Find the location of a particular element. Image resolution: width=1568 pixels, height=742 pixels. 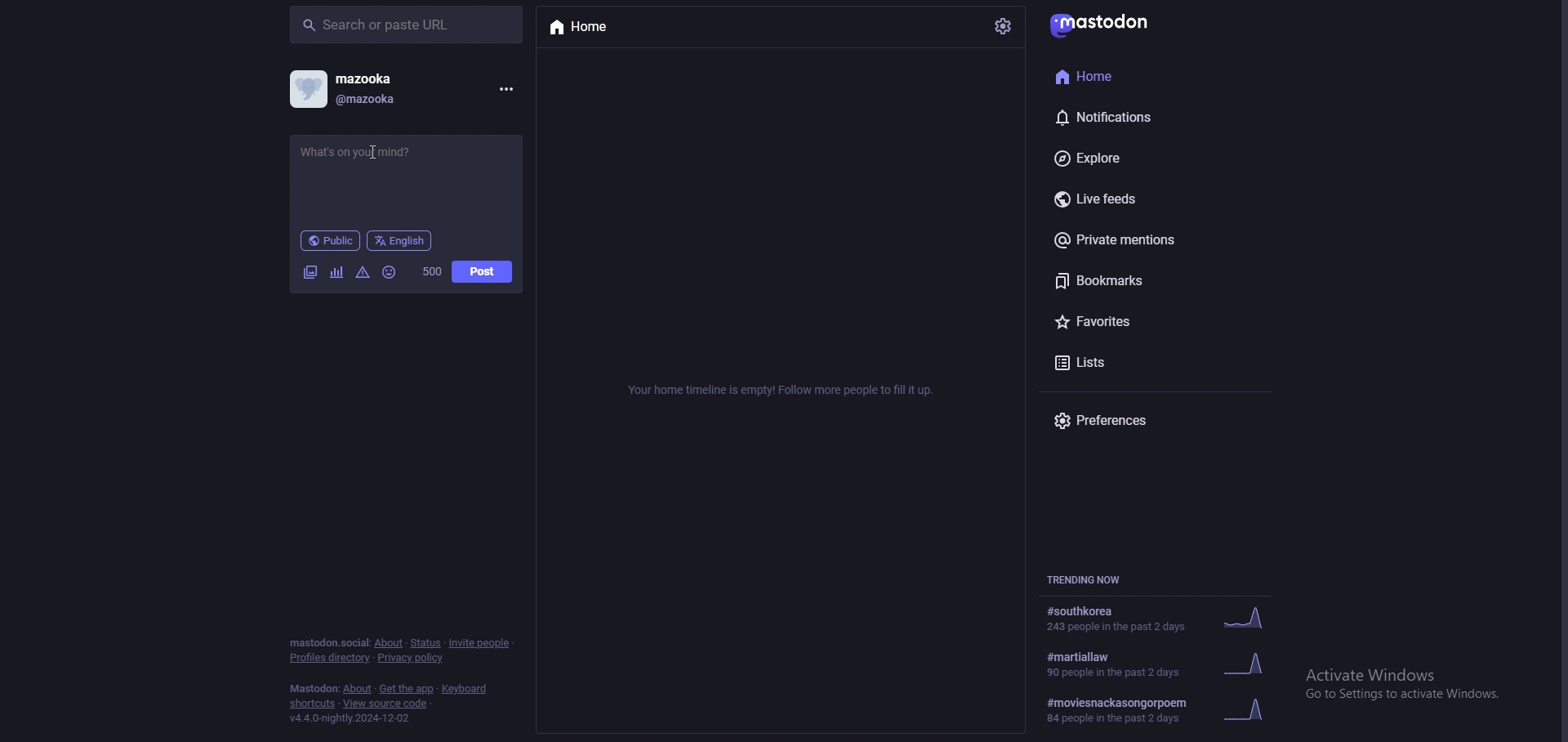

about is located at coordinates (358, 689).